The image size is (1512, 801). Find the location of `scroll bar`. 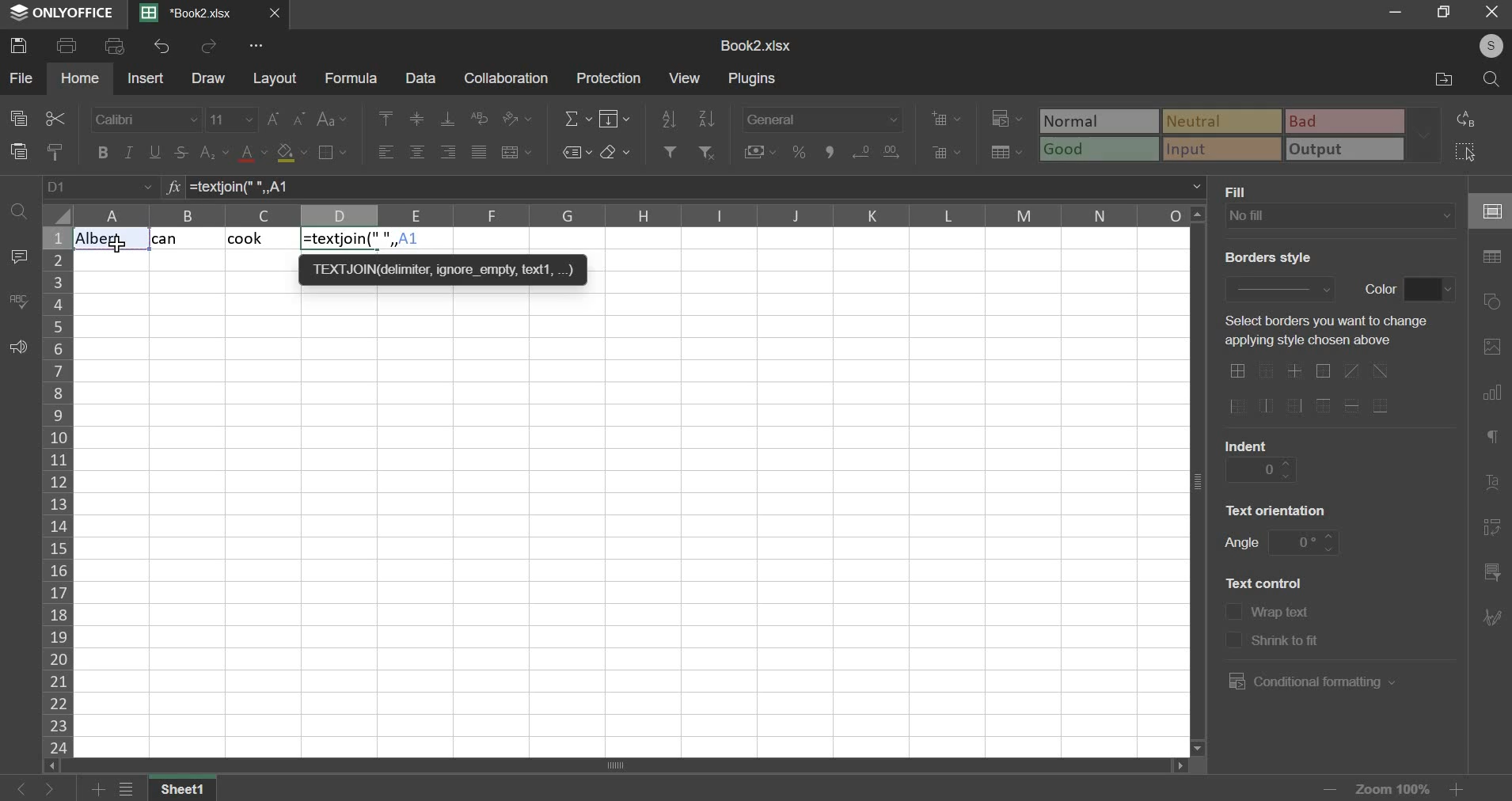

scroll bar is located at coordinates (613, 766).